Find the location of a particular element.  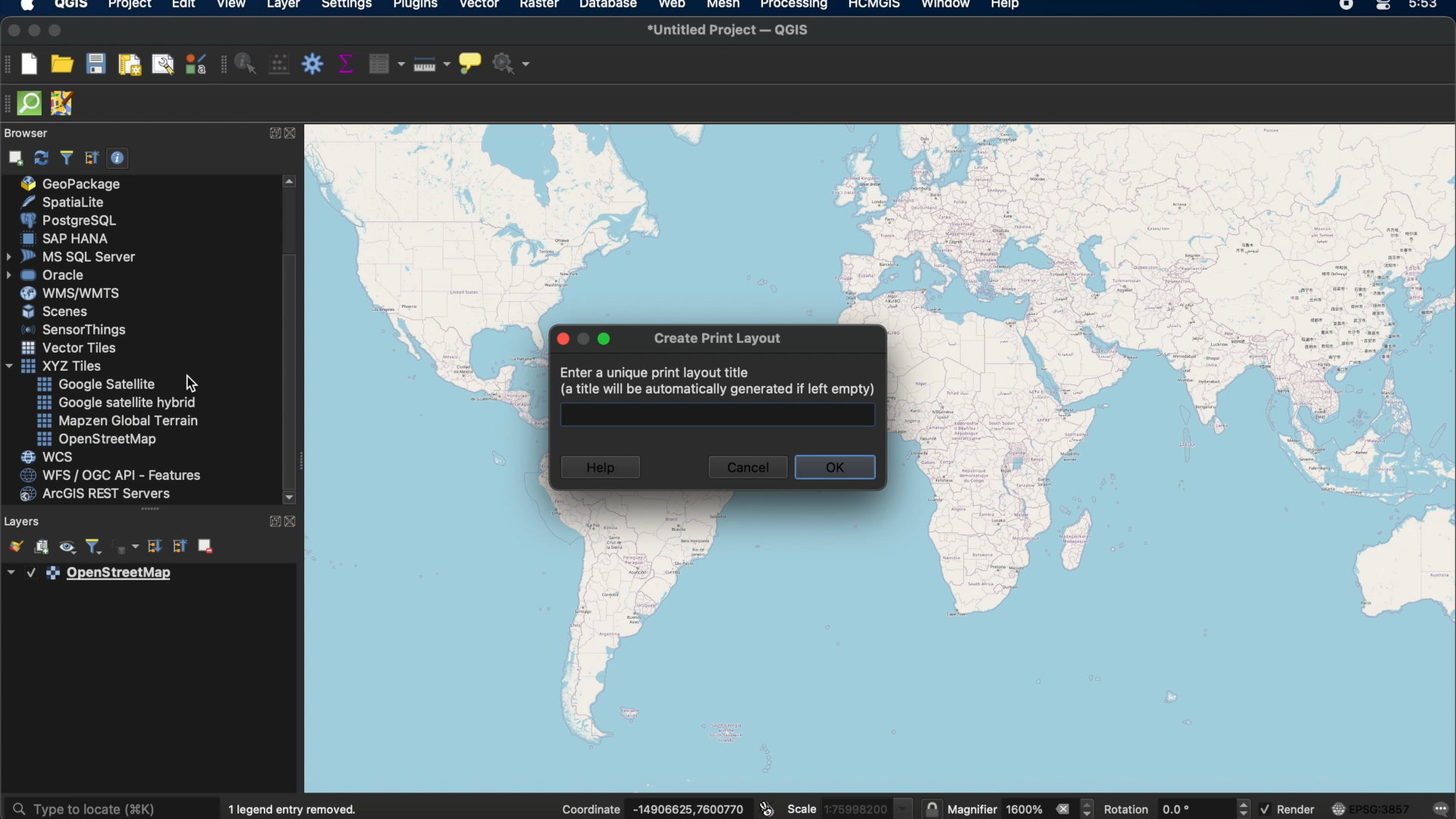

minimize is located at coordinates (36, 30).